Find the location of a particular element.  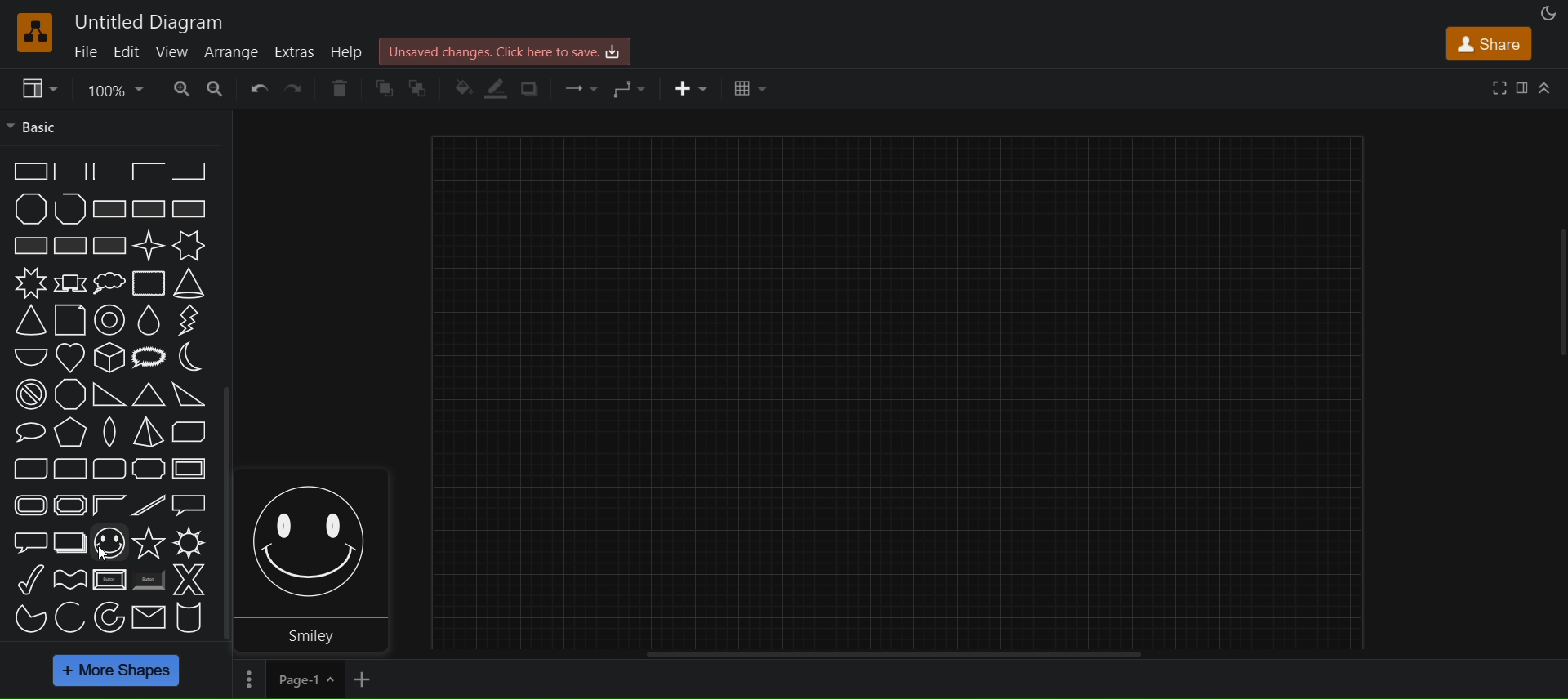

partial rectangle is located at coordinates (147, 171).